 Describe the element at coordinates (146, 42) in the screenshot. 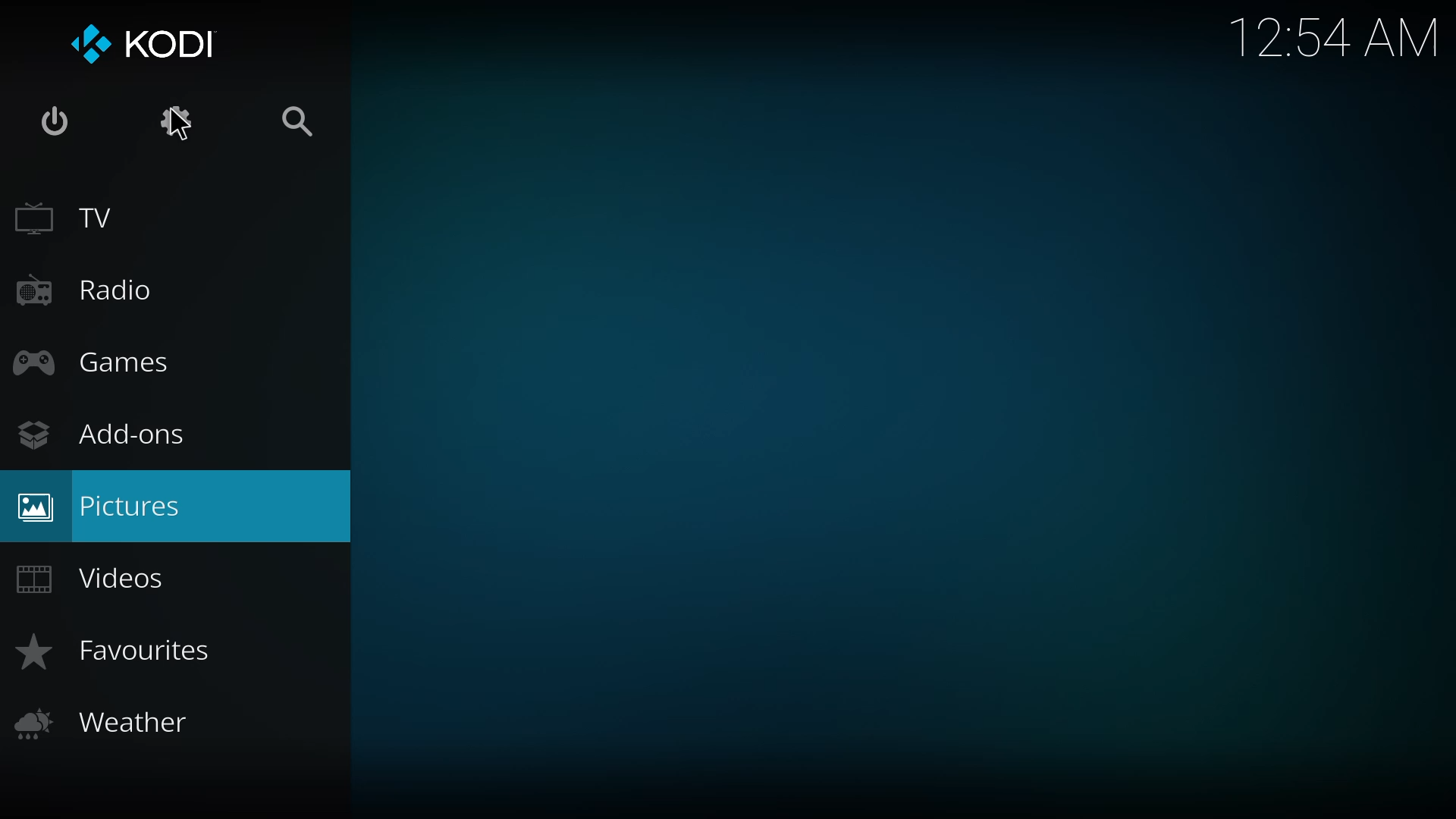

I see `kodi` at that location.